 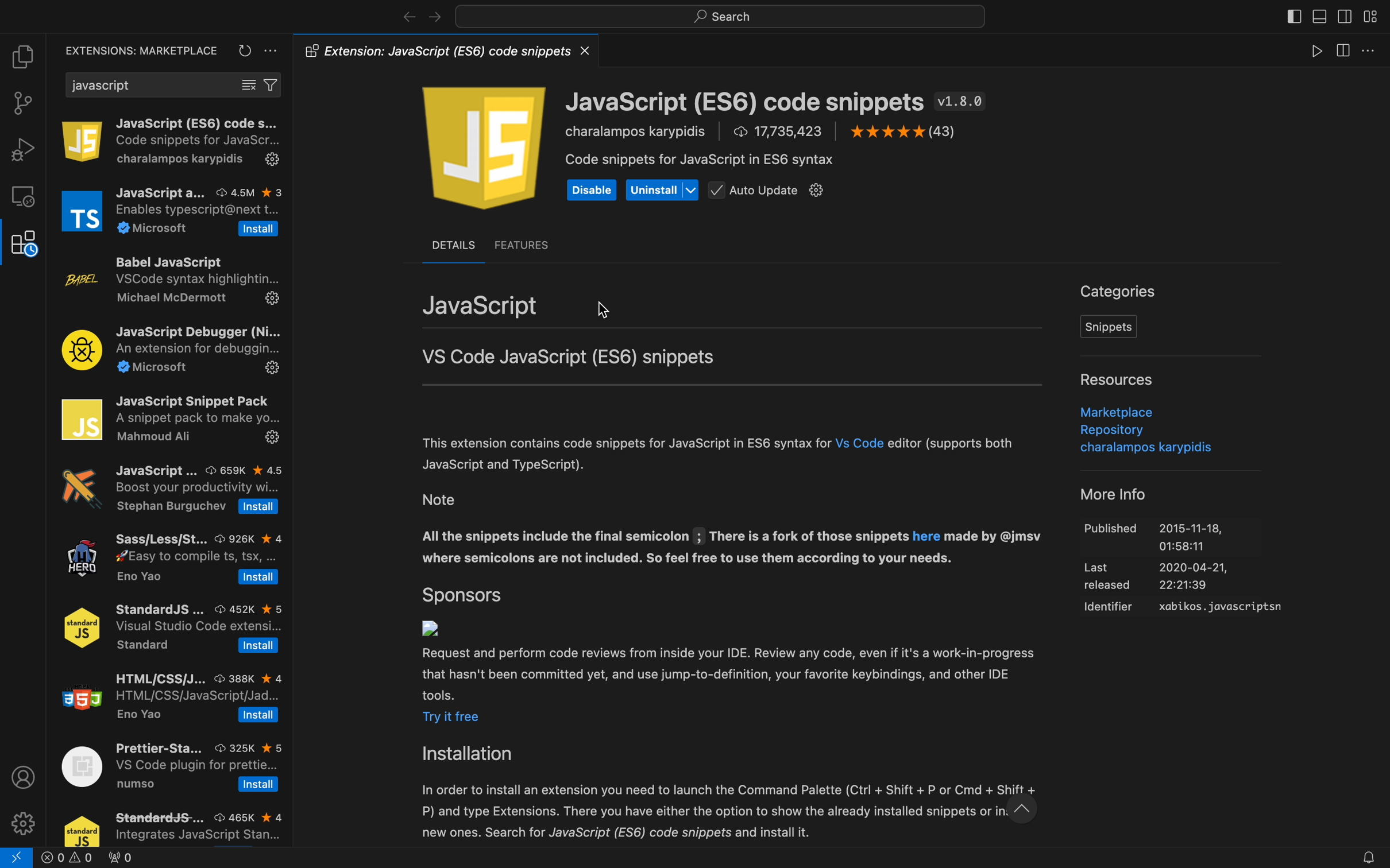 What do you see at coordinates (23, 103) in the screenshot?
I see `git` at bounding box center [23, 103].